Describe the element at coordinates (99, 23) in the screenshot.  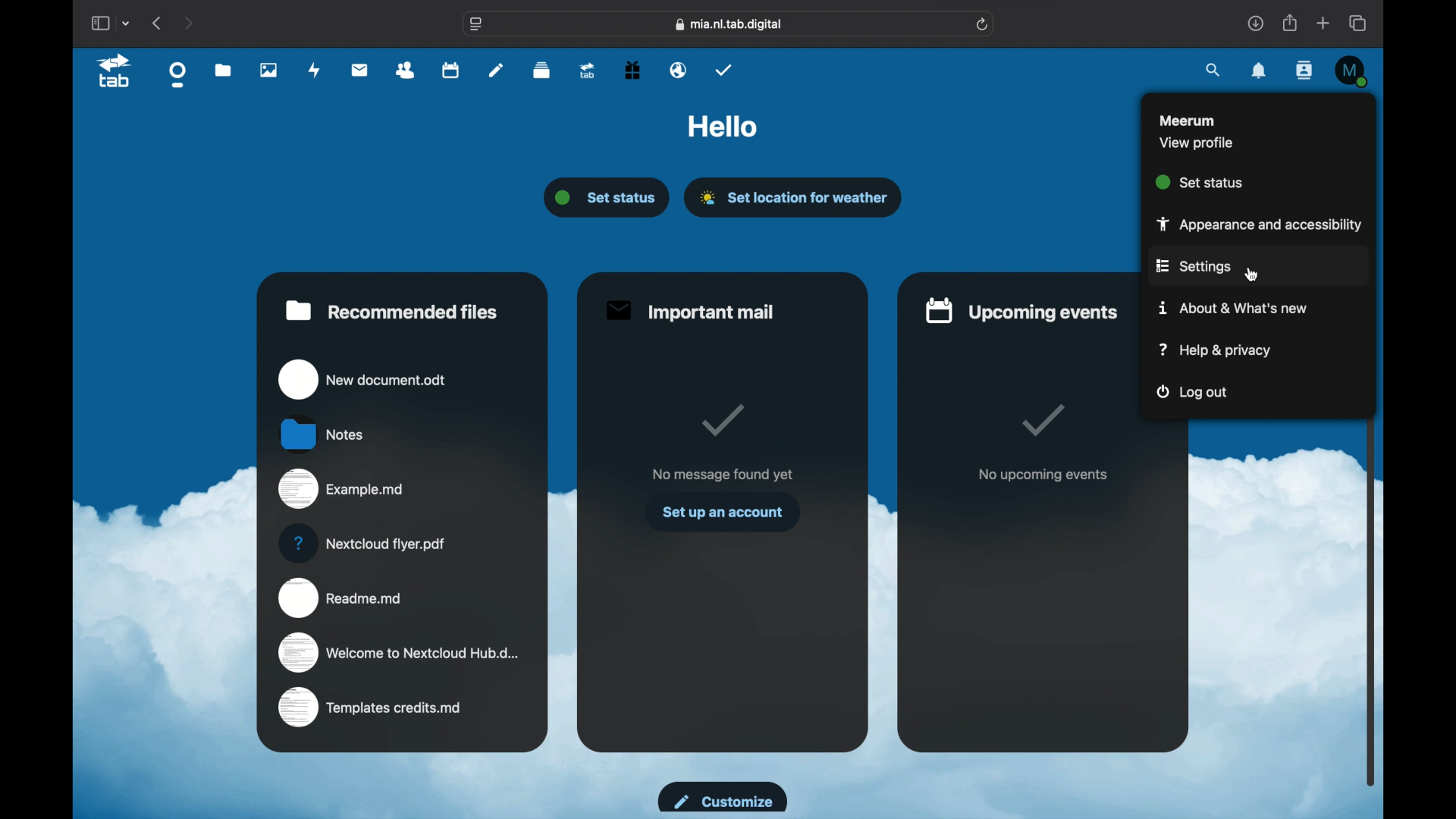
I see `show sidebar` at that location.